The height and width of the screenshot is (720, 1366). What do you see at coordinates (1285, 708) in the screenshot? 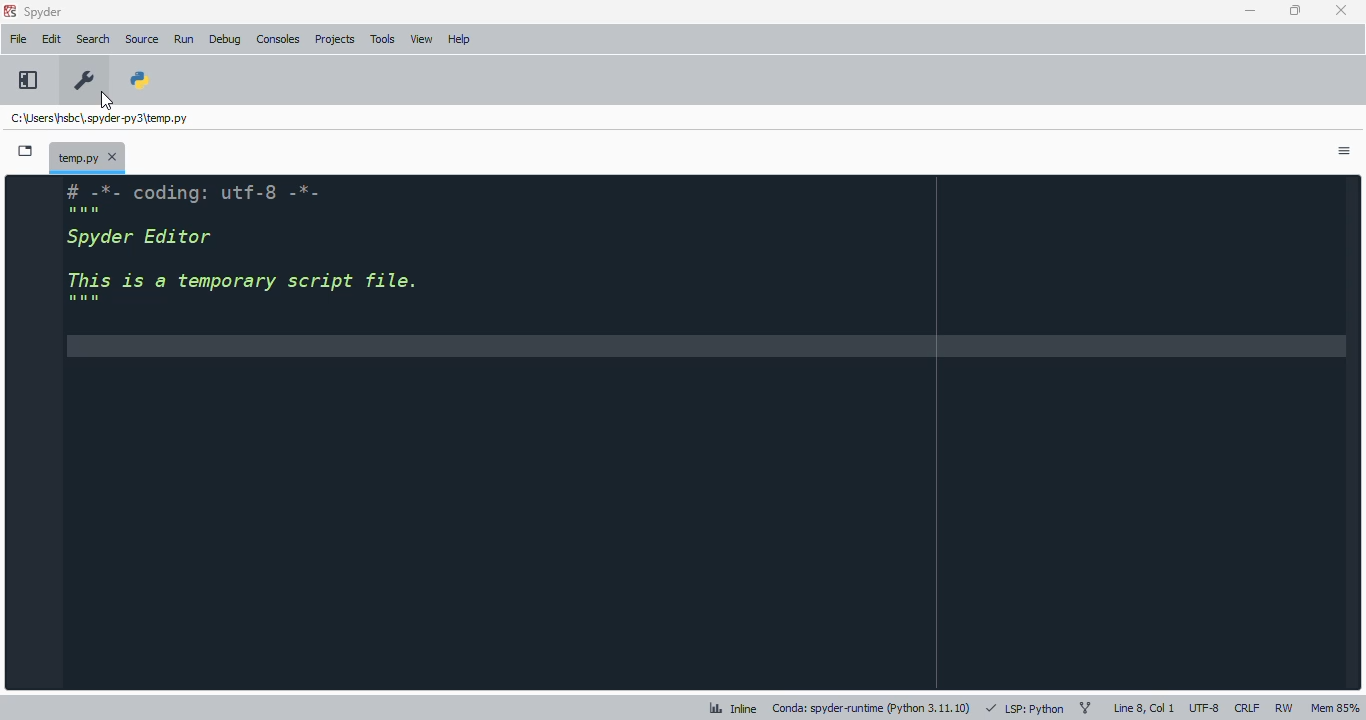
I see `RW` at bounding box center [1285, 708].